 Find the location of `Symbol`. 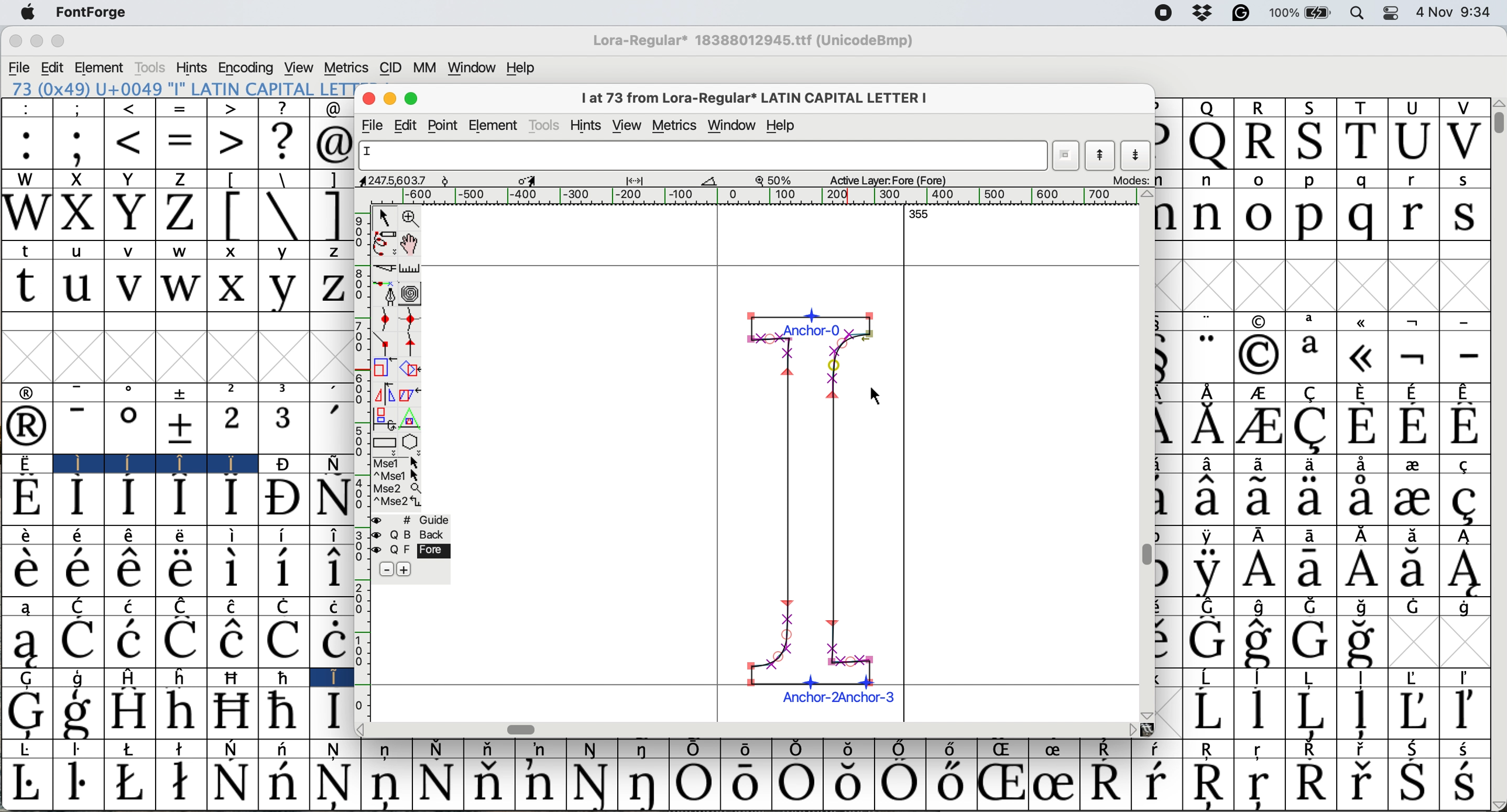

Symbol is located at coordinates (1264, 677).